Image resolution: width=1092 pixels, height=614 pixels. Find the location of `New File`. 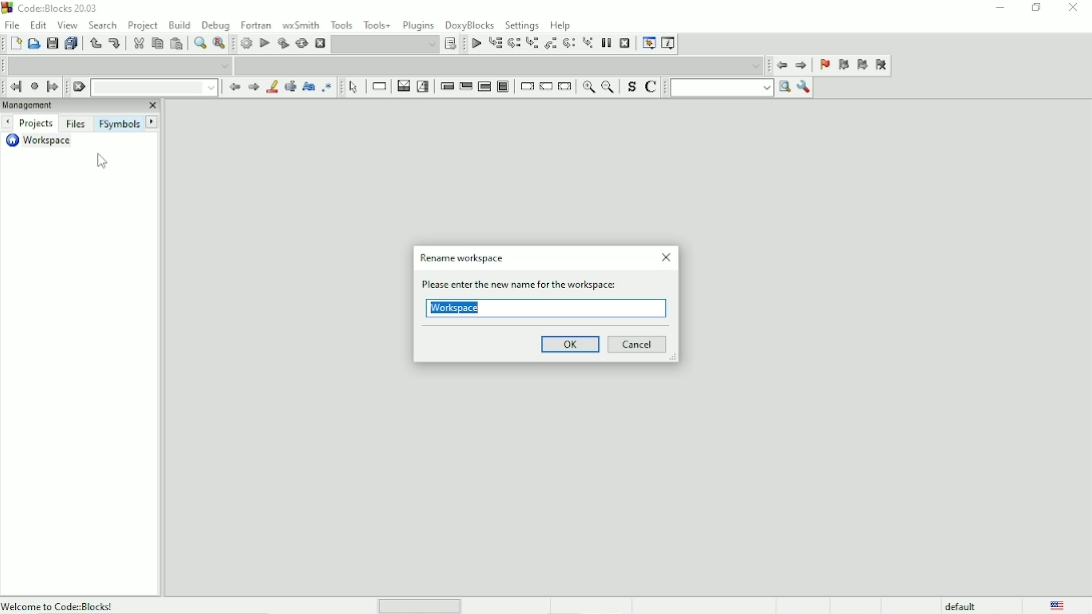

New File is located at coordinates (16, 44).